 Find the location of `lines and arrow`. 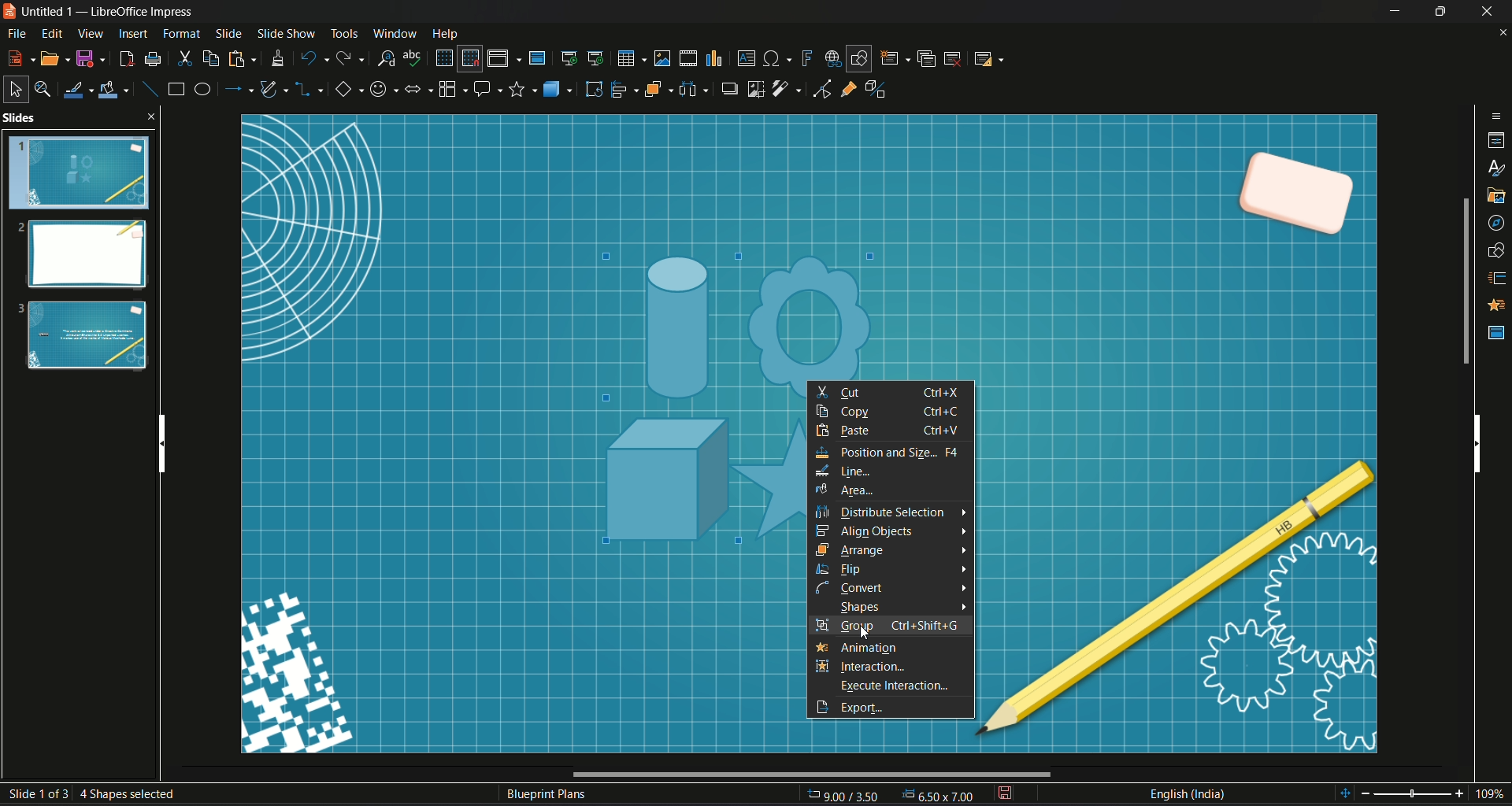

lines and arrow is located at coordinates (237, 89).